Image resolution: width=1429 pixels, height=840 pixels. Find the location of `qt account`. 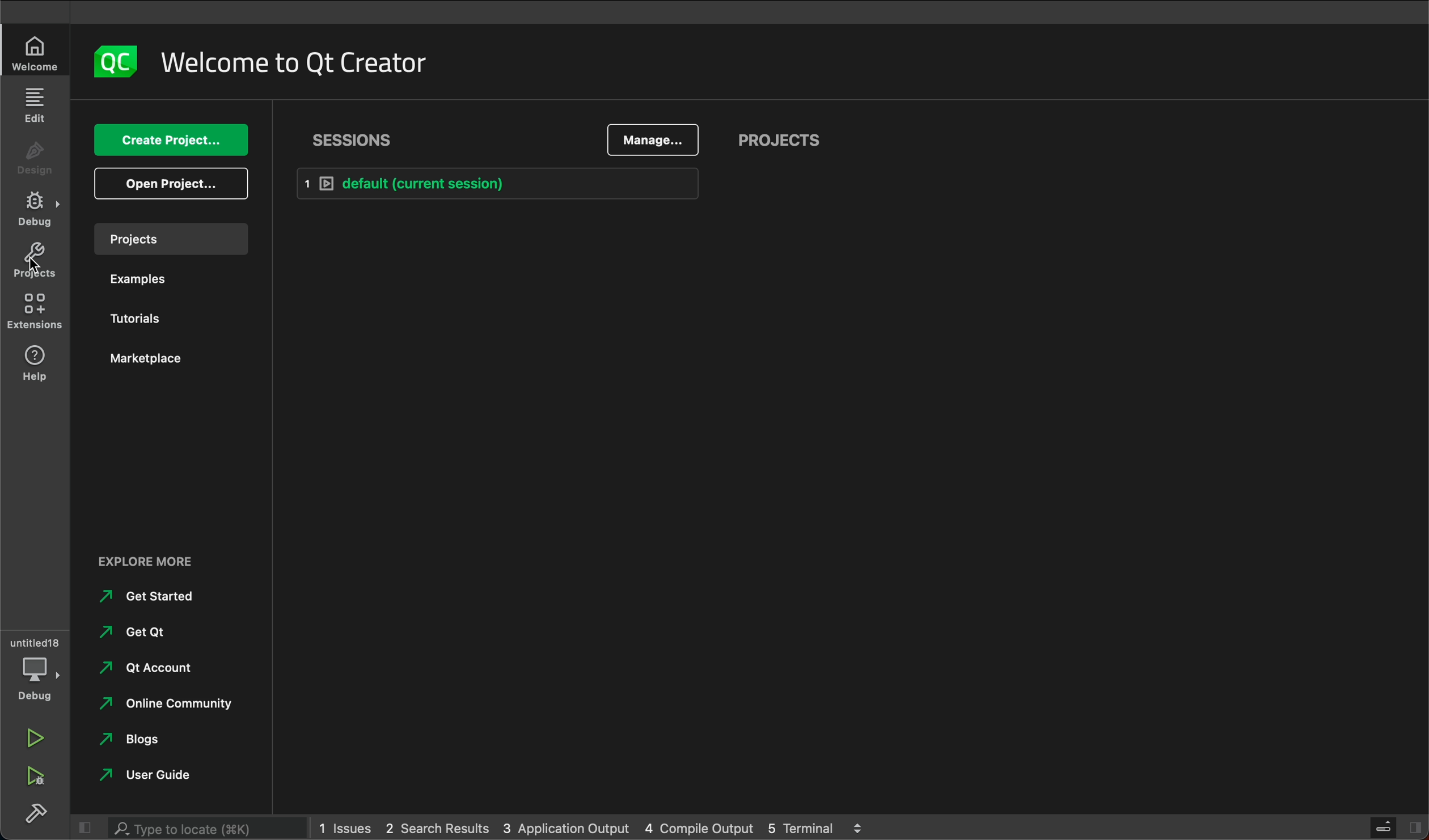

qt account is located at coordinates (158, 669).